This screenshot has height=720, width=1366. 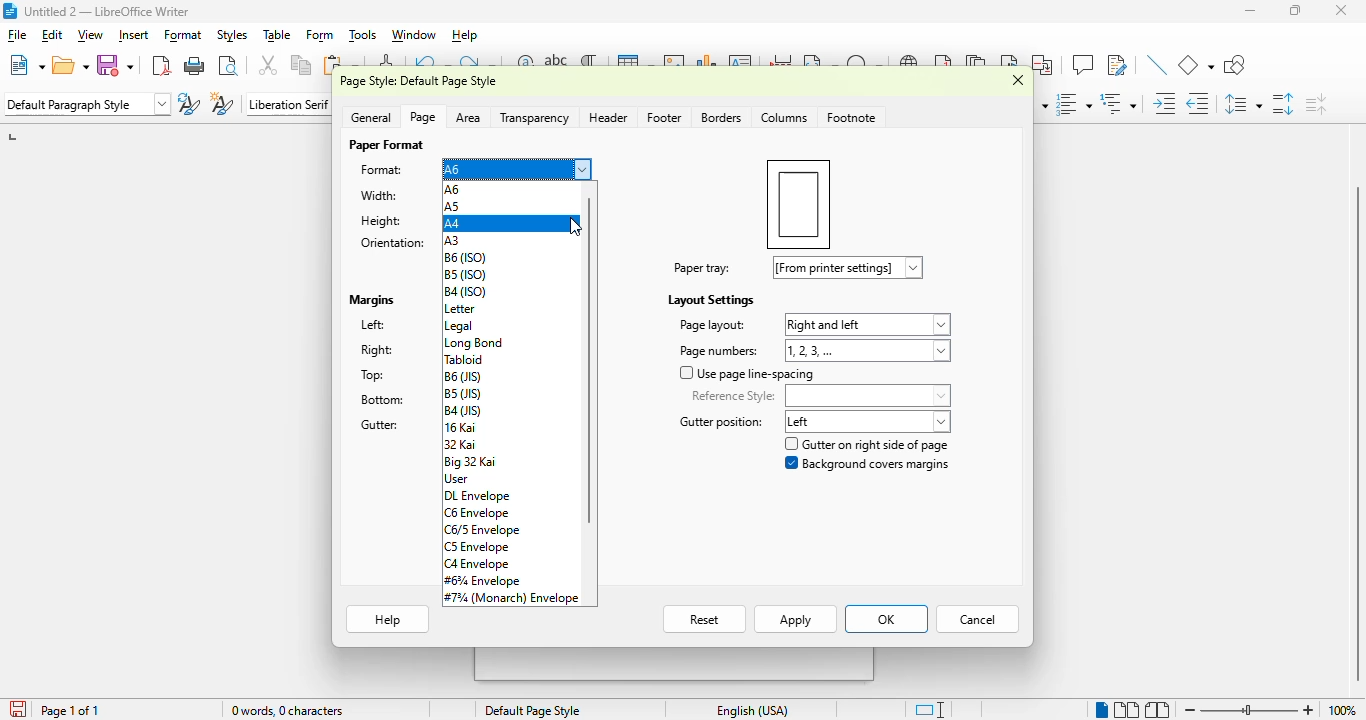 I want to click on open, so click(x=70, y=65).